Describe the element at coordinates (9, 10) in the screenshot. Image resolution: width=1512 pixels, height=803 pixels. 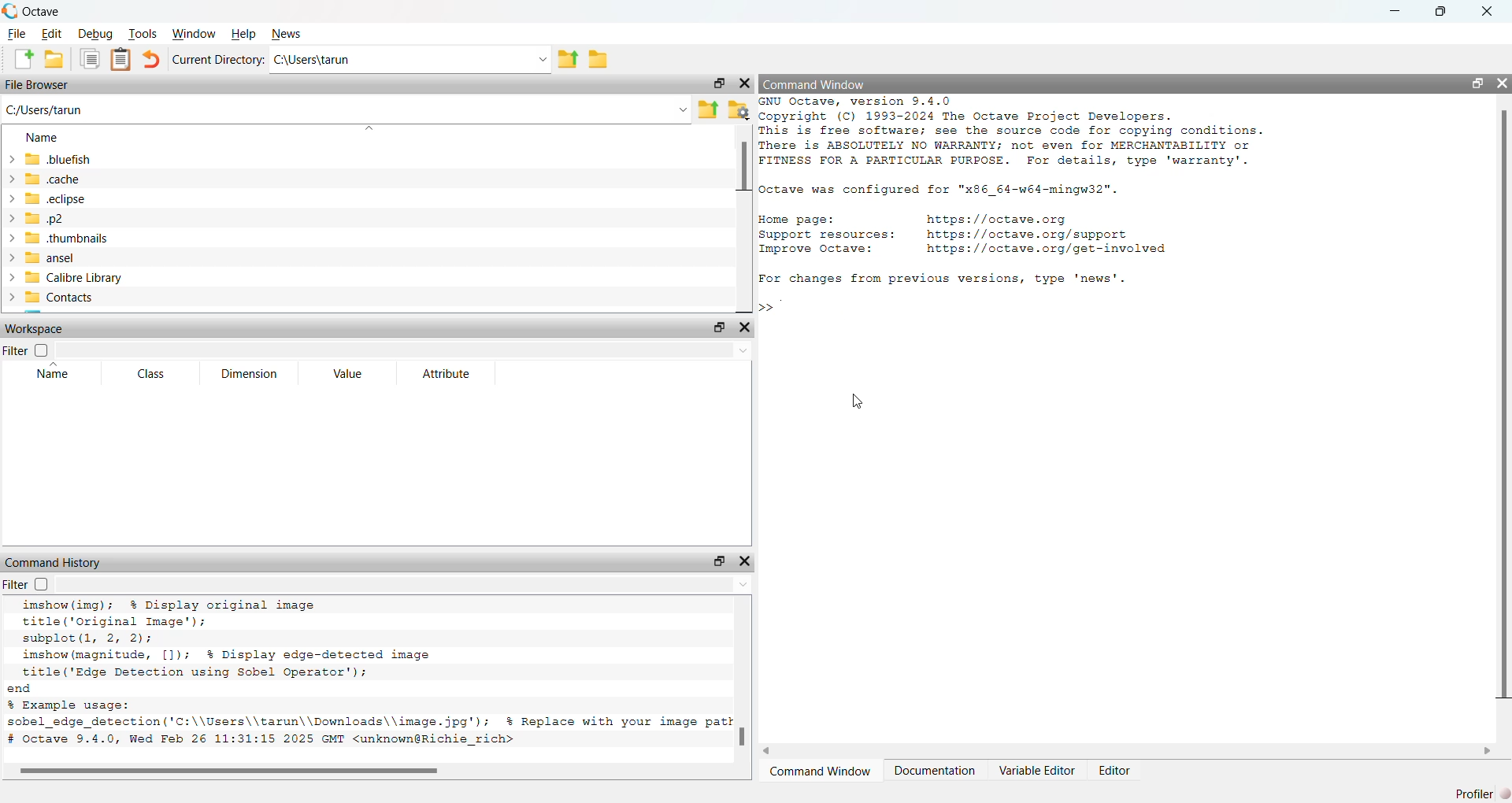
I see `octave logo` at that location.